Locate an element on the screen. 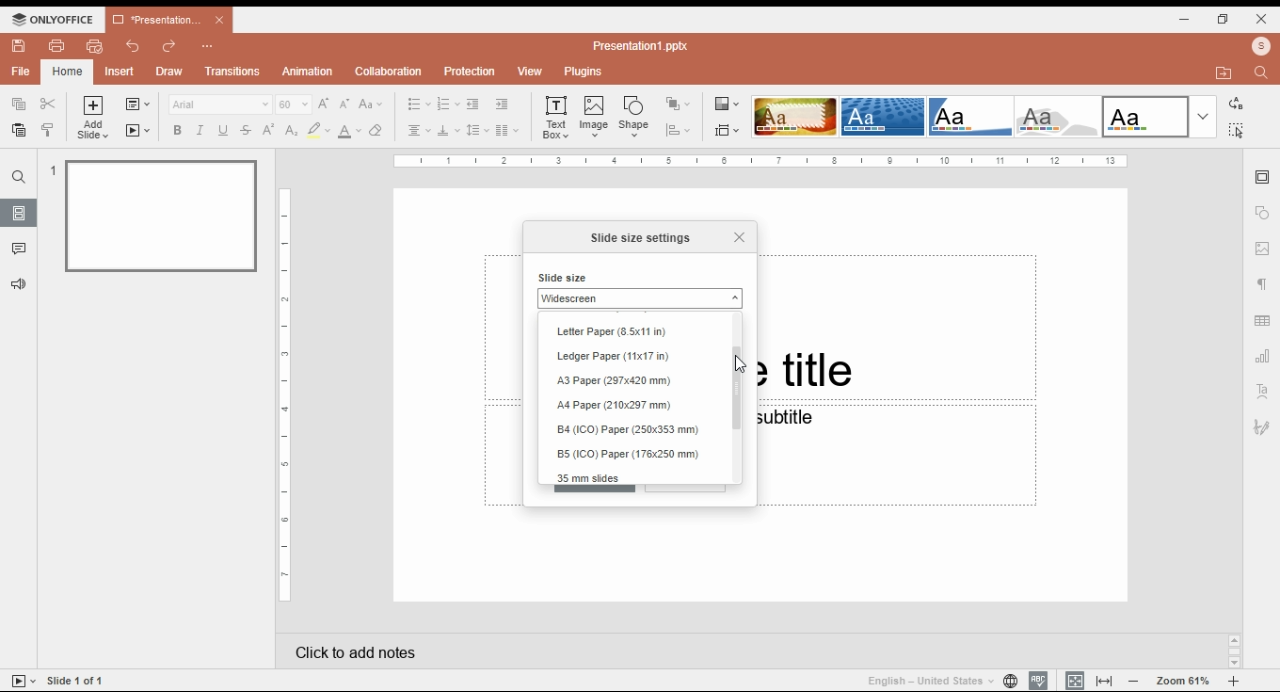  set document language is located at coordinates (1010, 680).